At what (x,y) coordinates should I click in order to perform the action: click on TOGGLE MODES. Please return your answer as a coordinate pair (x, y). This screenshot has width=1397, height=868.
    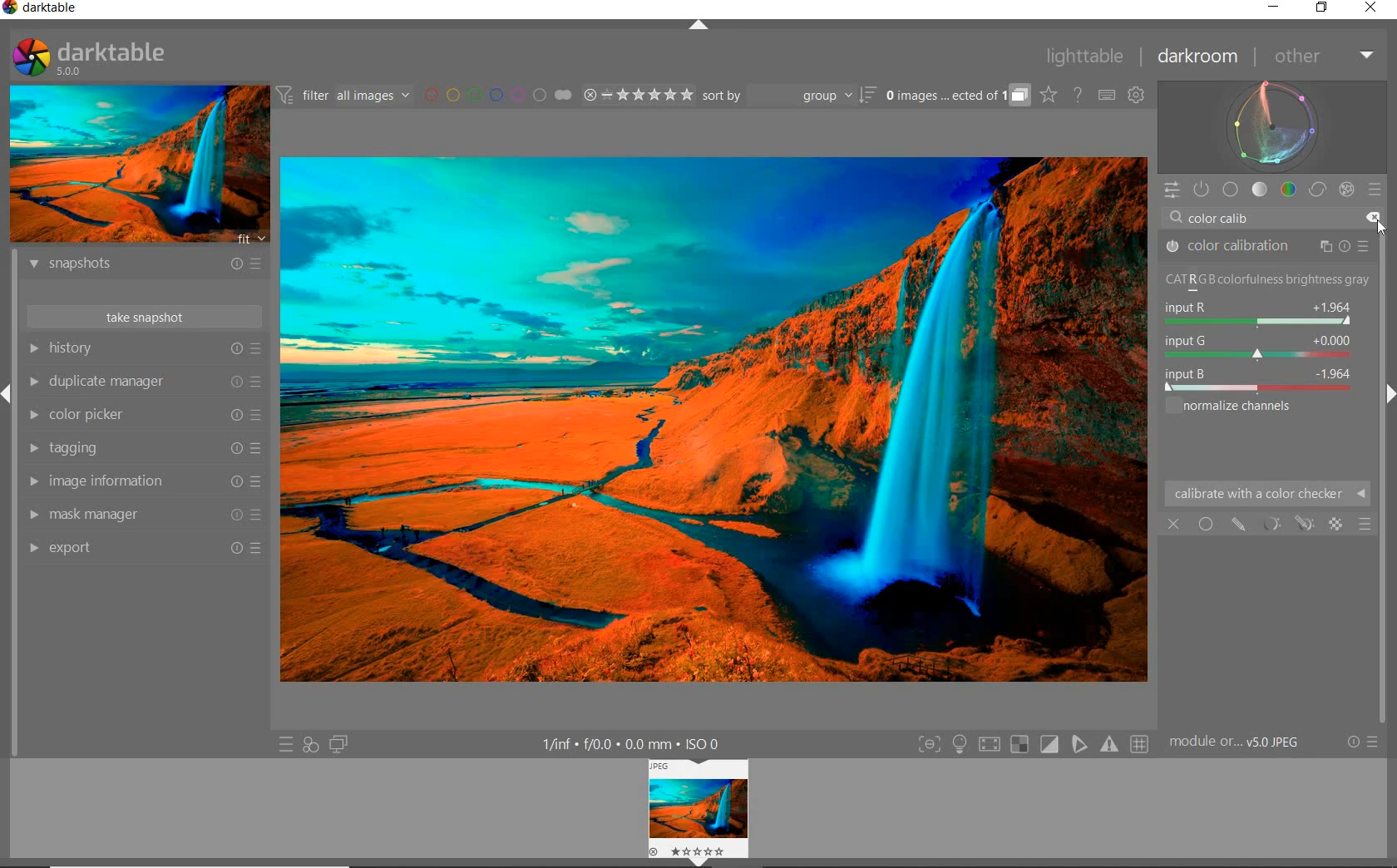
    Looking at the image, I should click on (1032, 745).